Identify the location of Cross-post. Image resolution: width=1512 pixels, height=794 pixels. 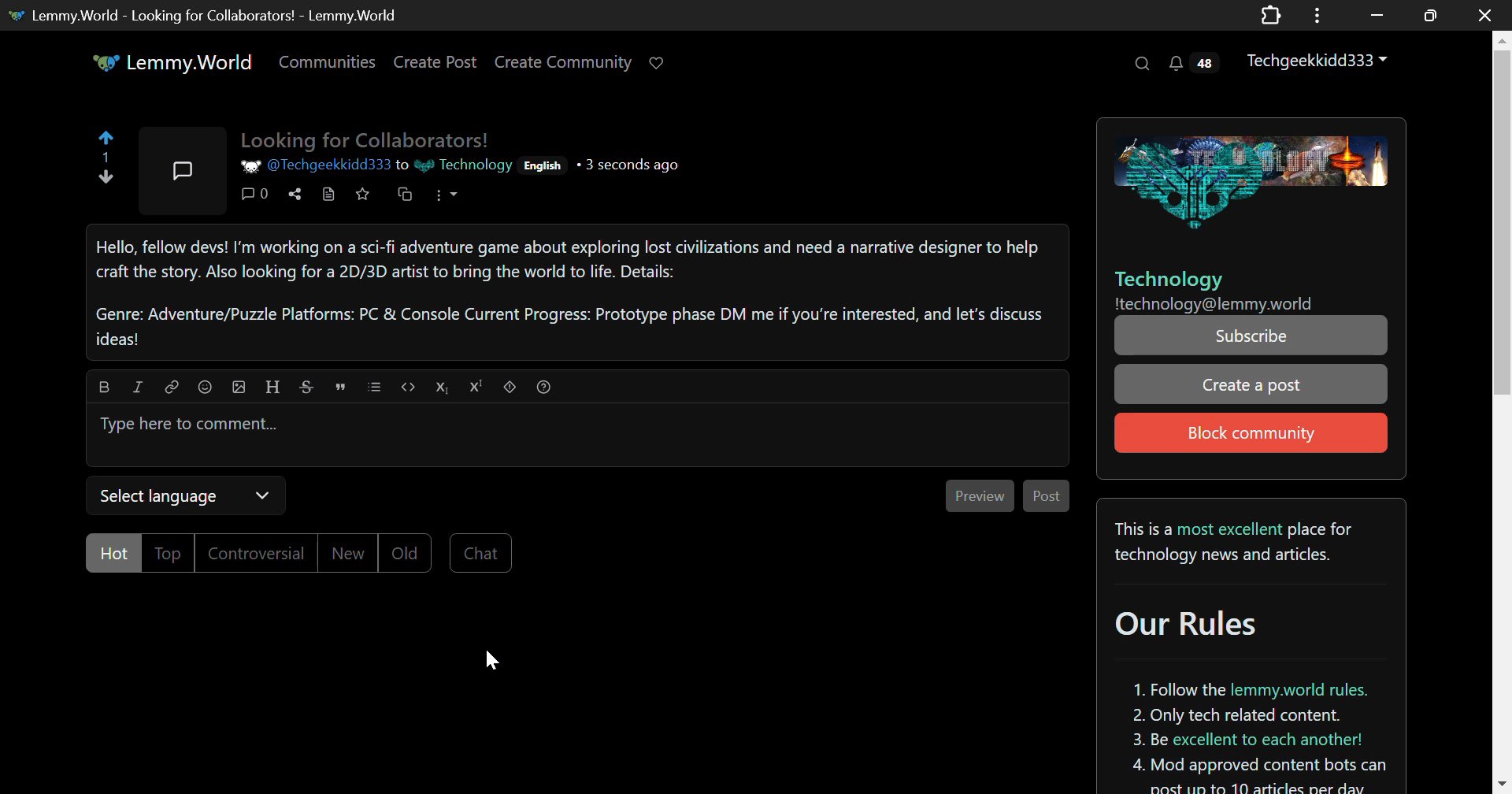
(406, 198).